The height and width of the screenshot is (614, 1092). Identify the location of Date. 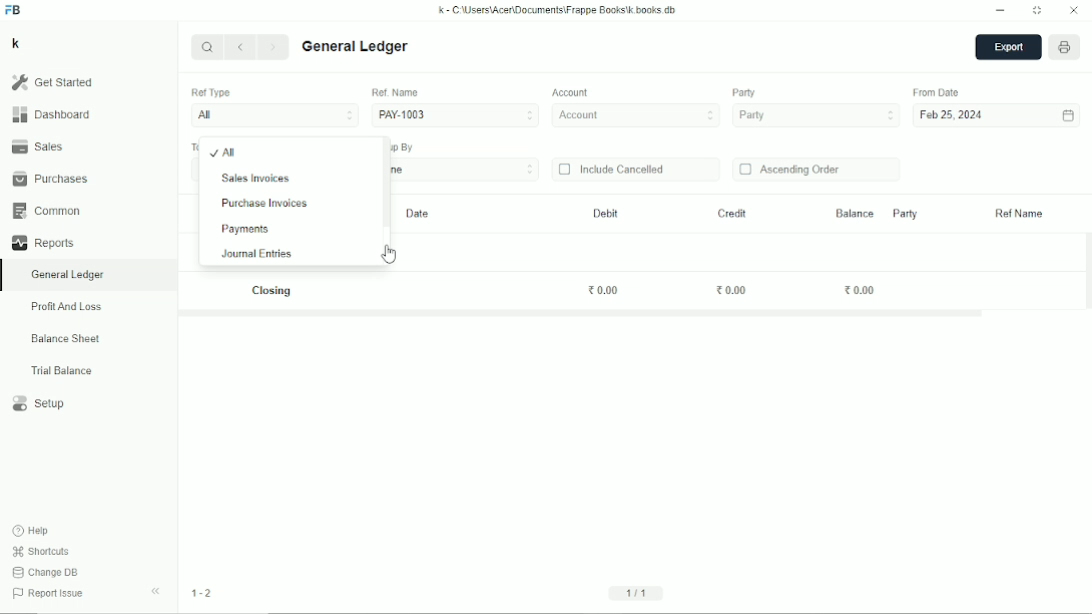
(419, 214).